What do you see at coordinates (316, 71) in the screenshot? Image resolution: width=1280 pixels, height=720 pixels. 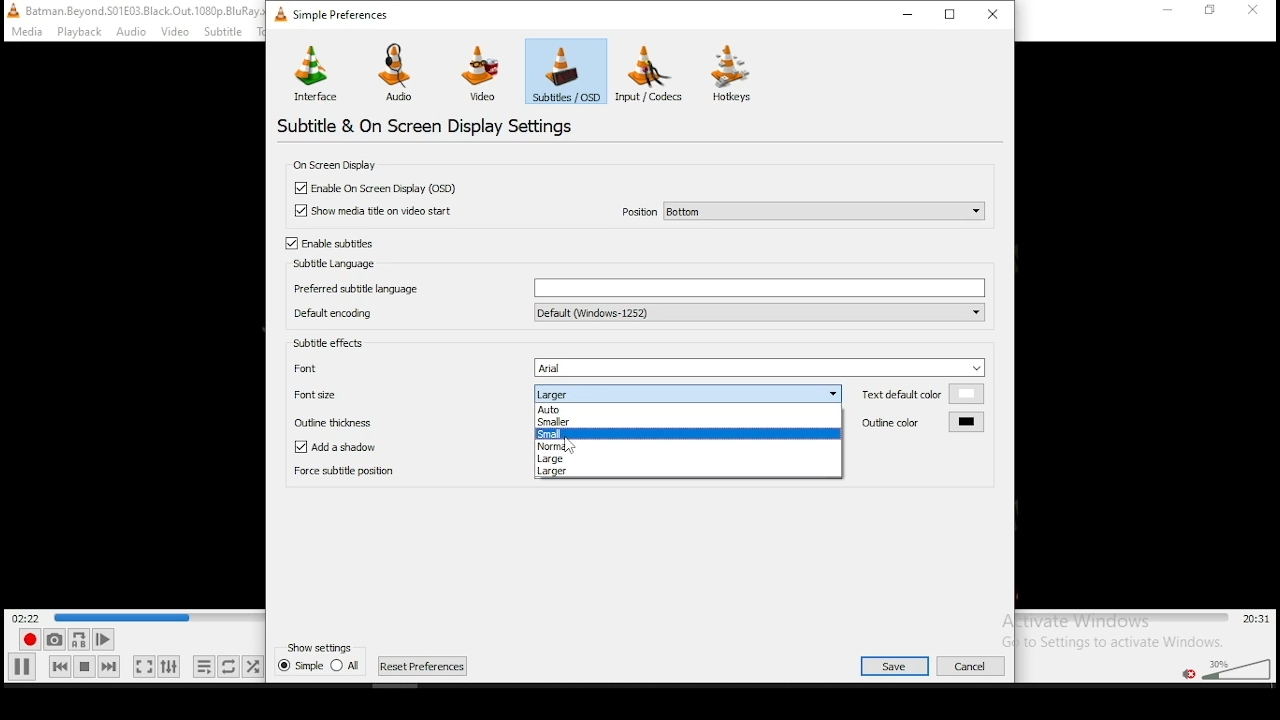 I see `interface` at bounding box center [316, 71].